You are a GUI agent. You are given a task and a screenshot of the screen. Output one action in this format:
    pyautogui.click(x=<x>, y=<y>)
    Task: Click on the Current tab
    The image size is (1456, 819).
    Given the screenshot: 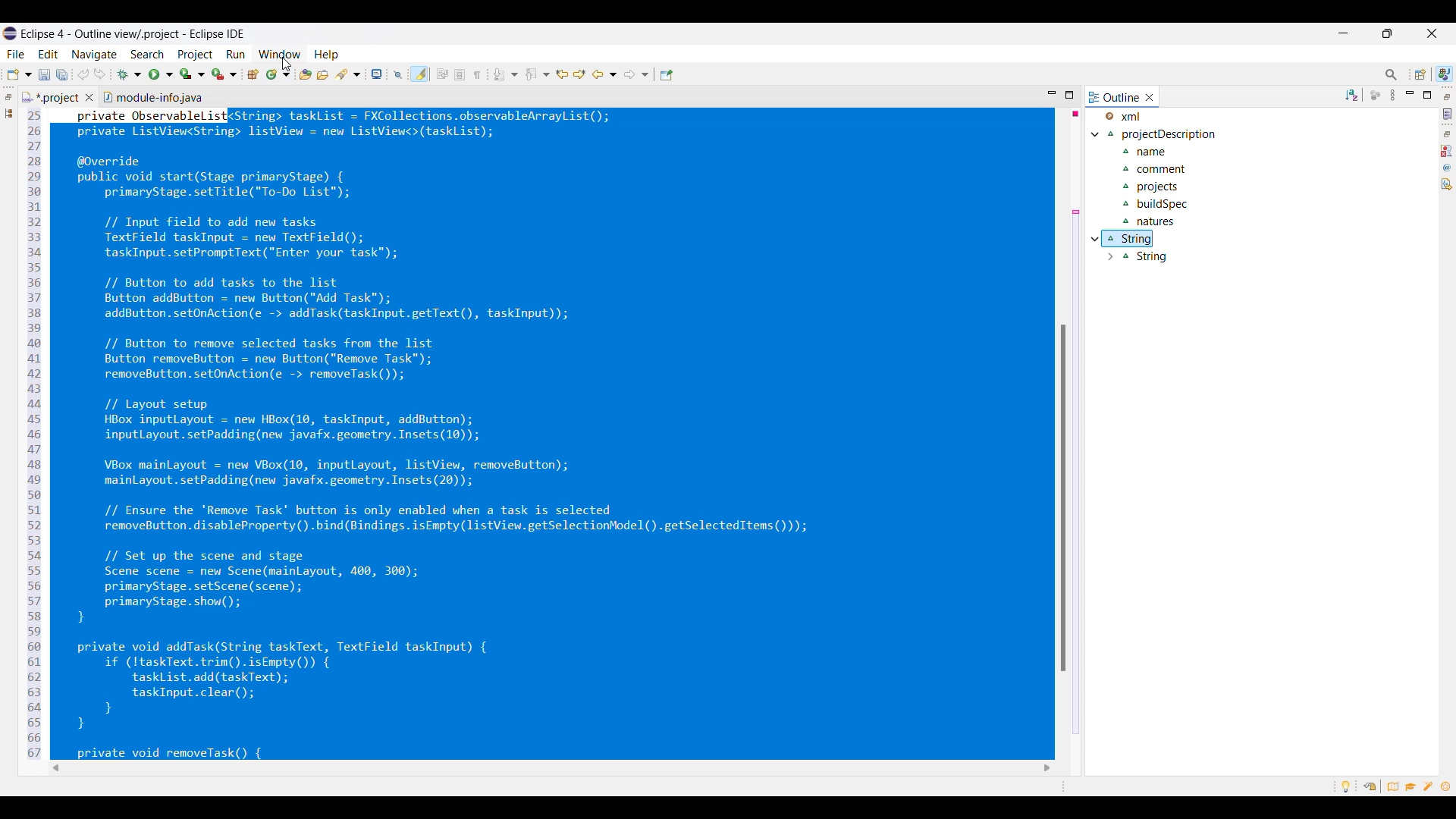 What is the action you would take?
    pyautogui.click(x=1116, y=96)
    